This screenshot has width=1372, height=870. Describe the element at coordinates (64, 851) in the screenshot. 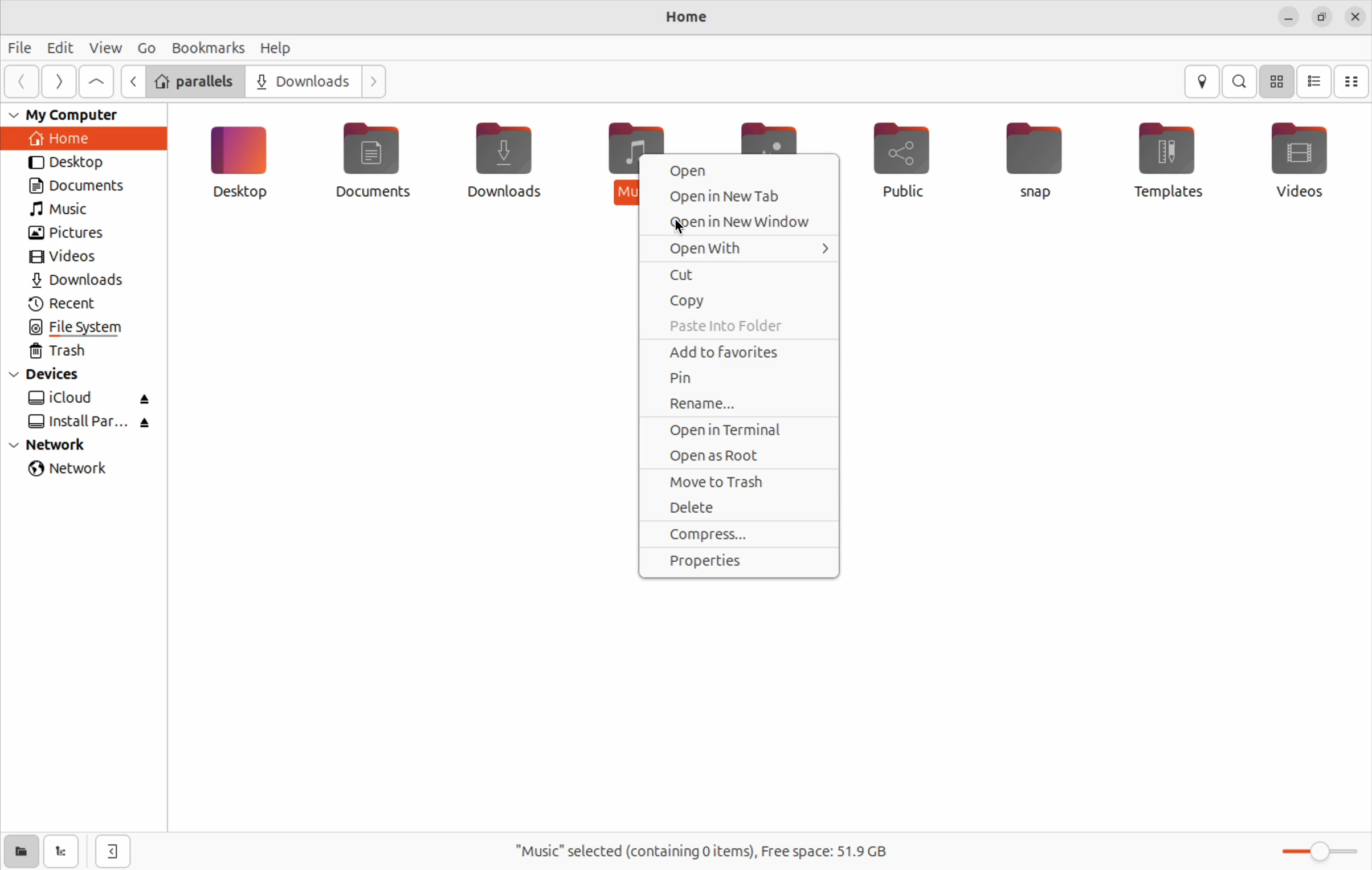

I see `show tree view` at that location.